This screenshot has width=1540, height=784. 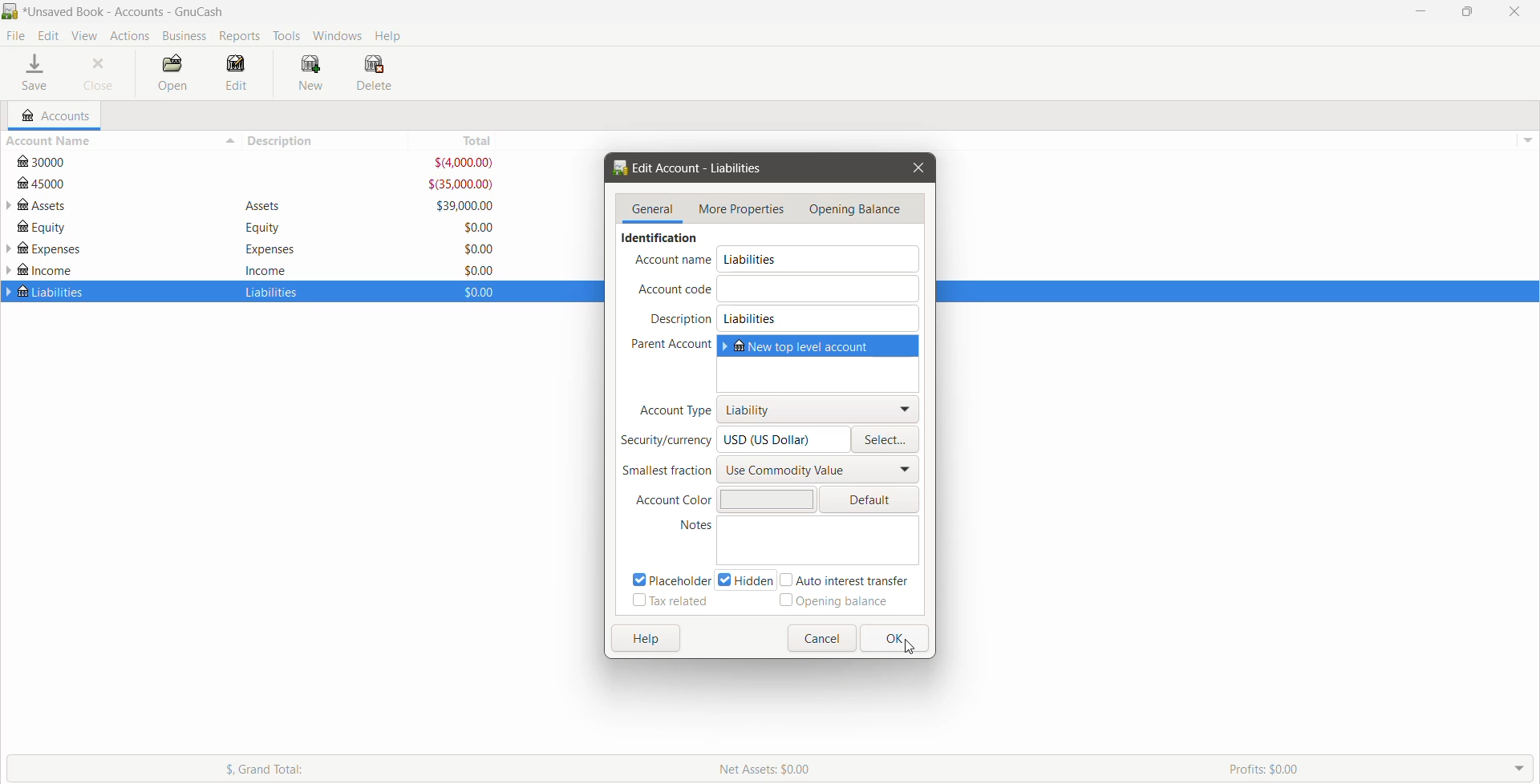 What do you see at coordinates (376, 73) in the screenshot?
I see `Delete` at bounding box center [376, 73].